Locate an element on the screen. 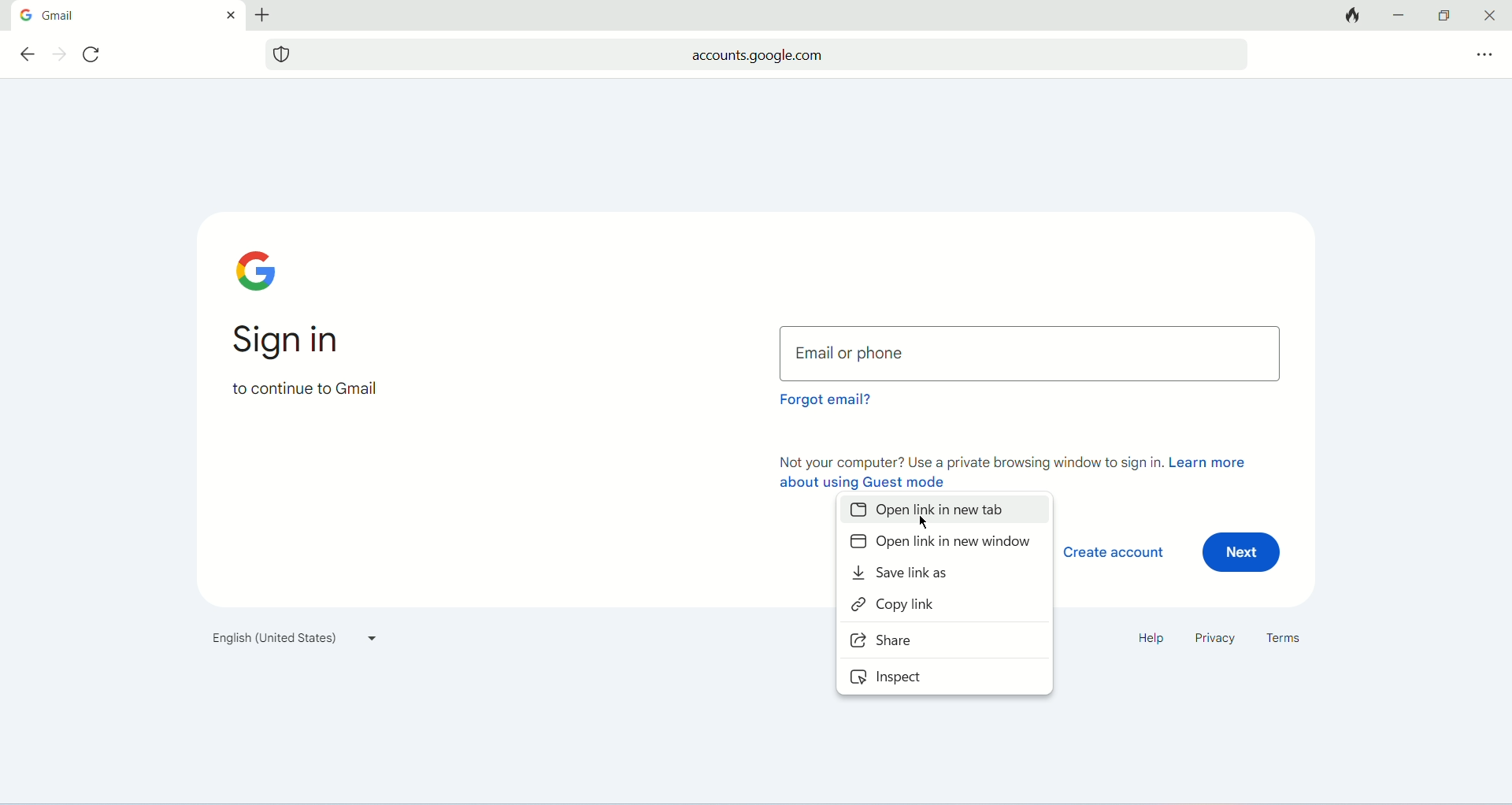 The width and height of the screenshot is (1512, 805). add tab is located at coordinates (267, 15).